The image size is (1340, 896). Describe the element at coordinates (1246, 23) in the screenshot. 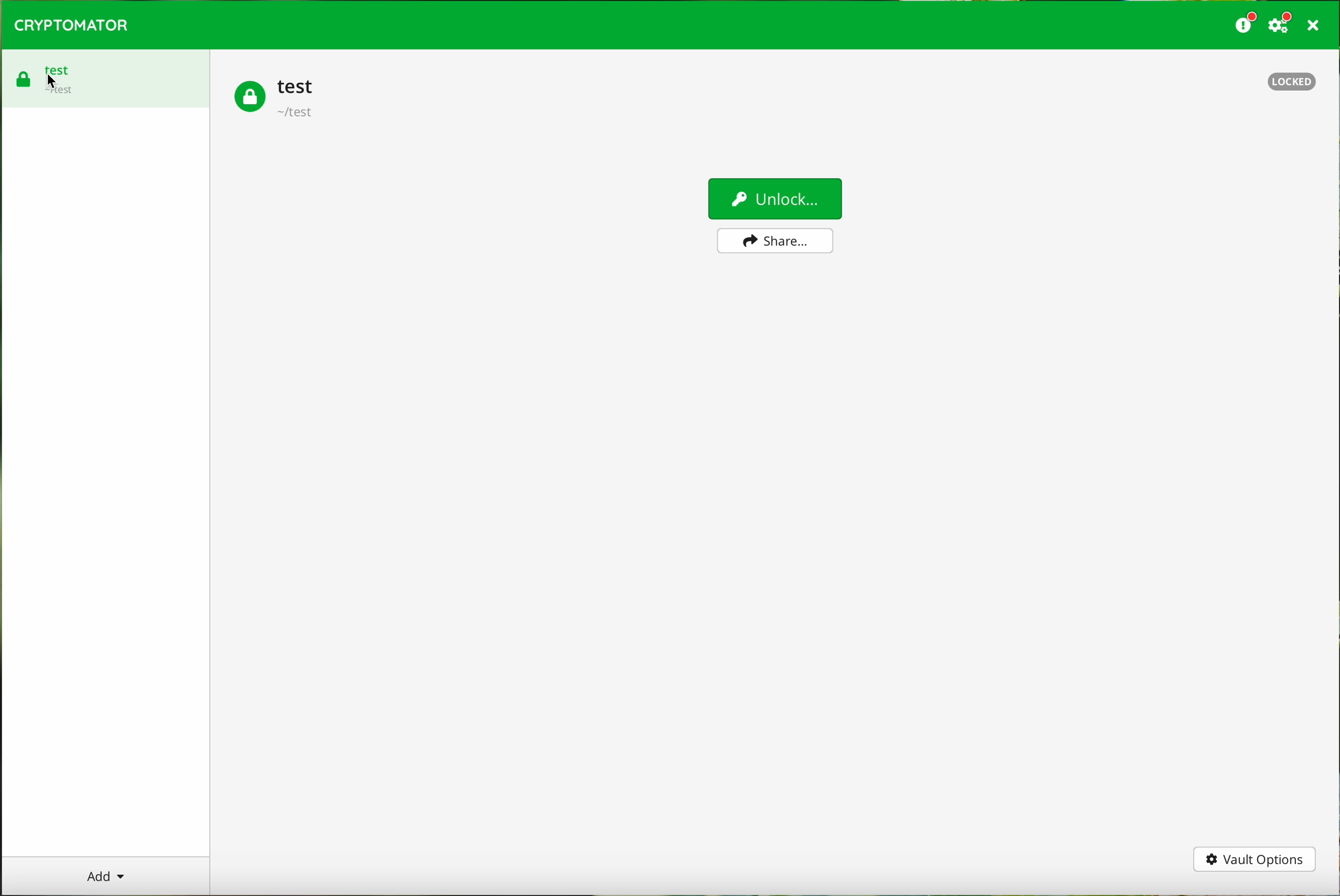

I see `donate` at that location.